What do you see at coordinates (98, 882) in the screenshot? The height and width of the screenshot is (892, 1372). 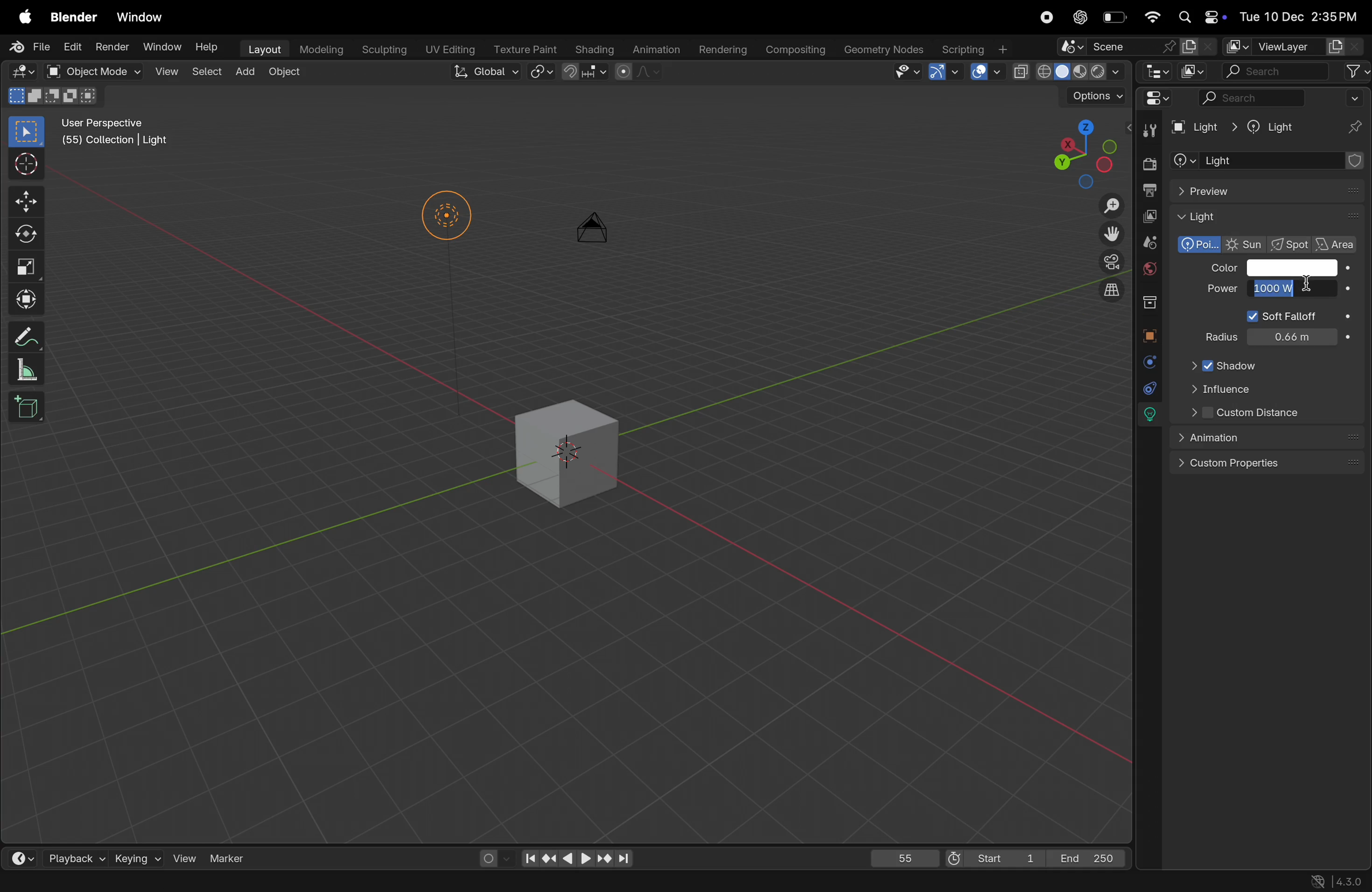 I see `rotate` at bounding box center [98, 882].